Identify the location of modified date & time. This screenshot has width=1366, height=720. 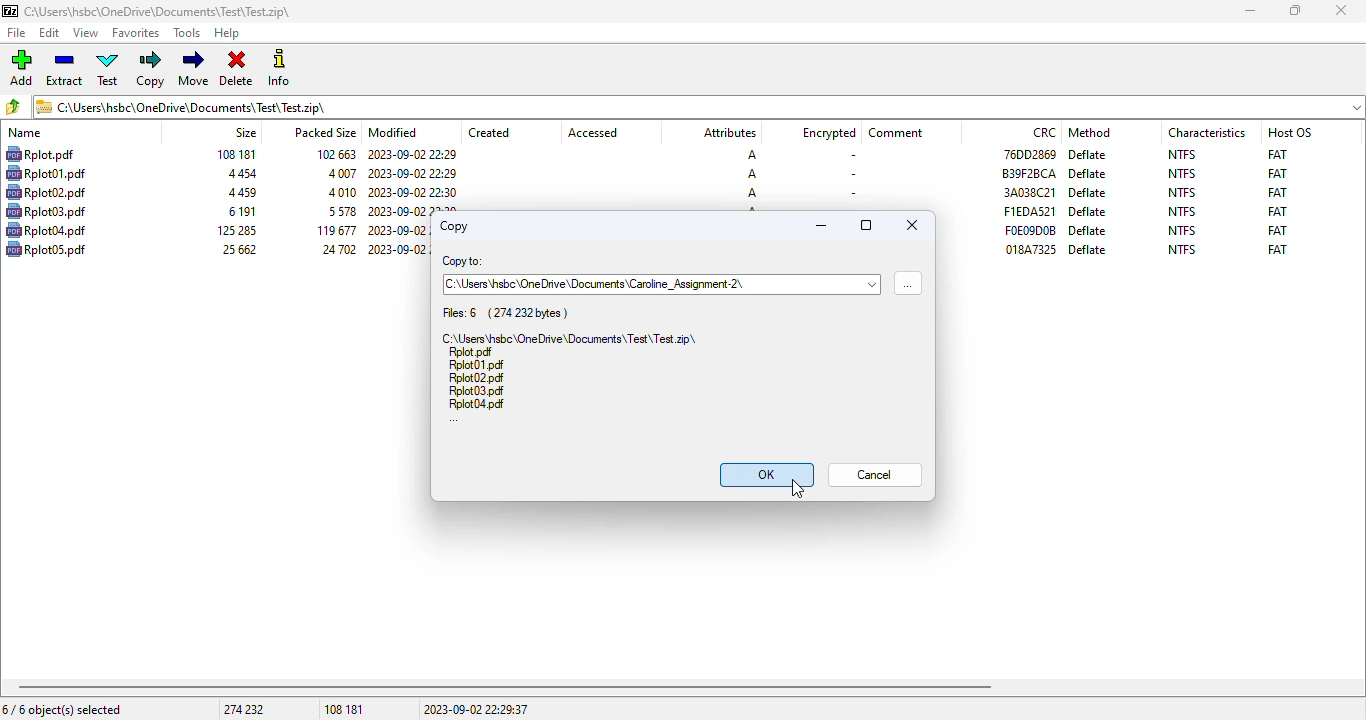
(412, 155).